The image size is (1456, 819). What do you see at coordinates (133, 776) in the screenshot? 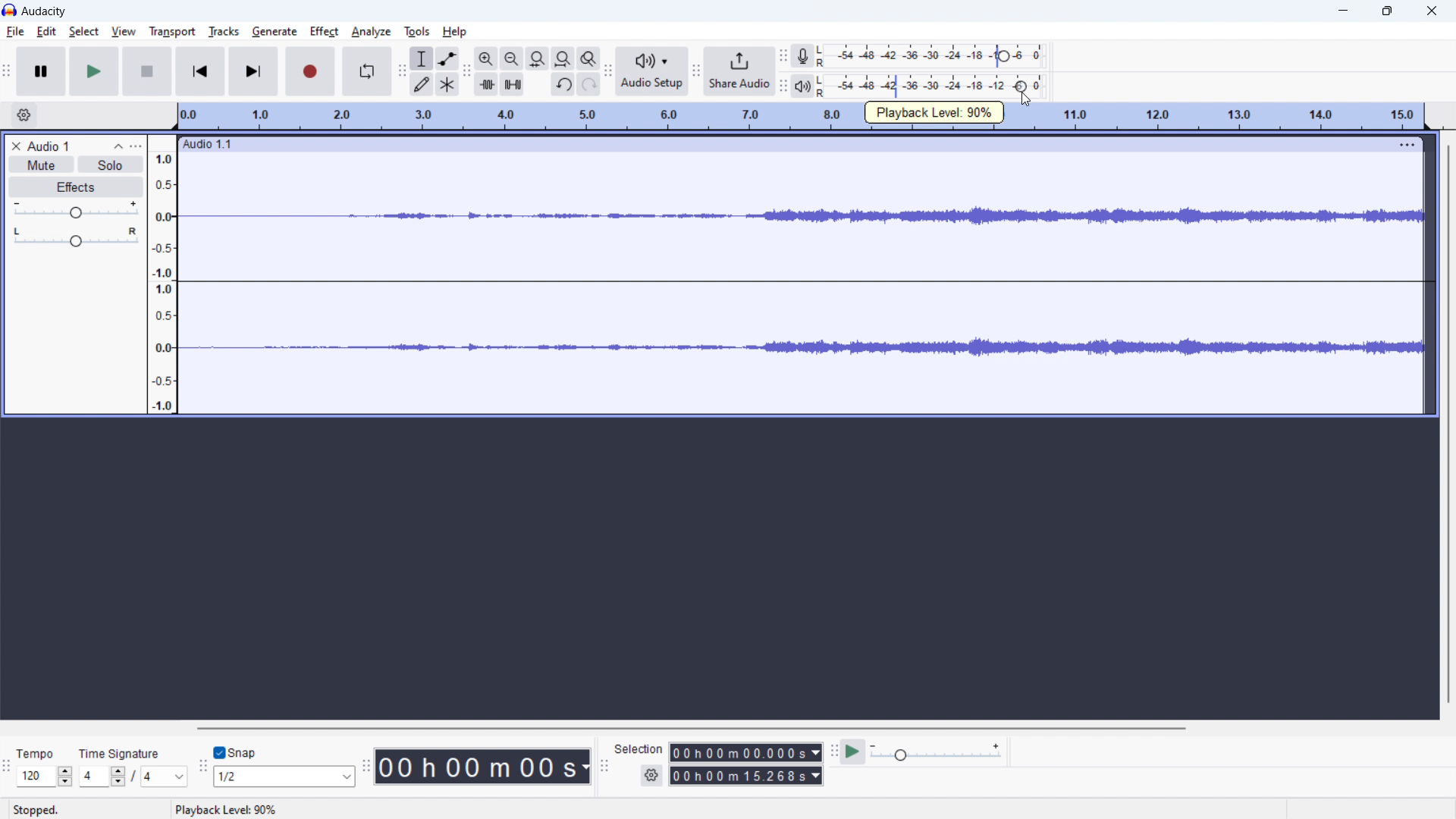
I see `time signature` at bounding box center [133, 776].